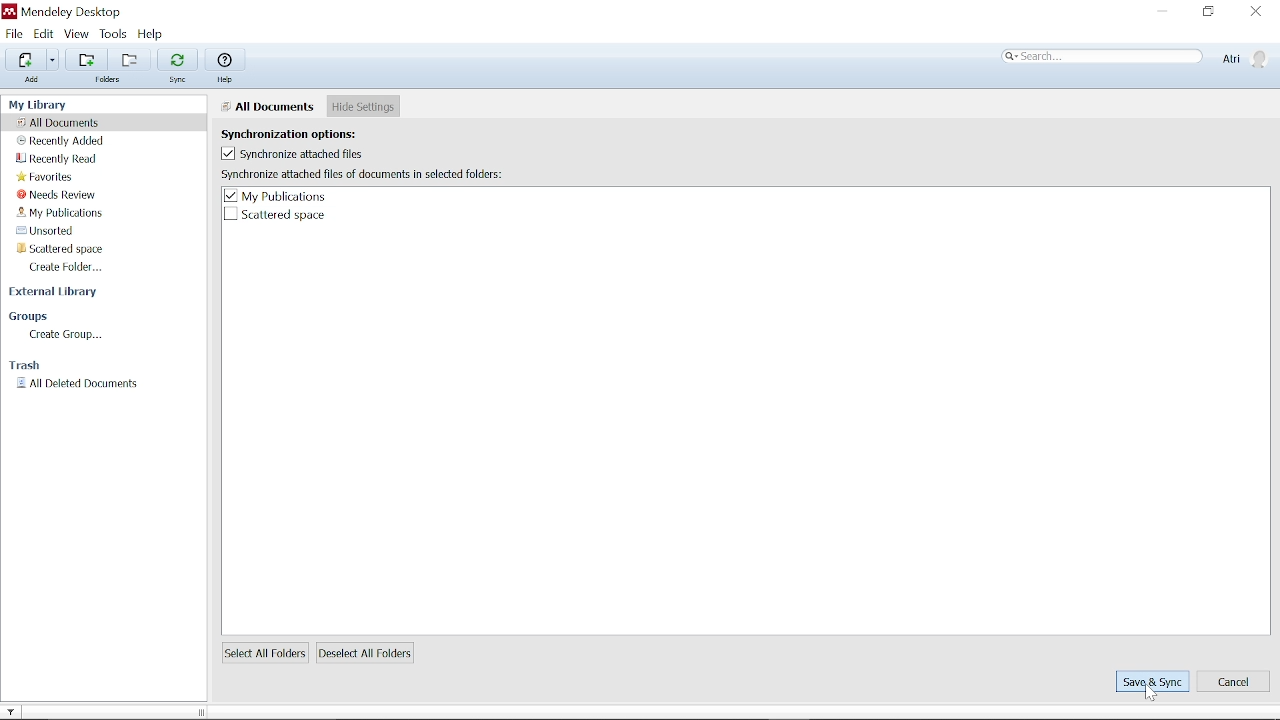 The width and height of the screenshot is (1280, 720). I want to click on Sync, so click(177, 58).